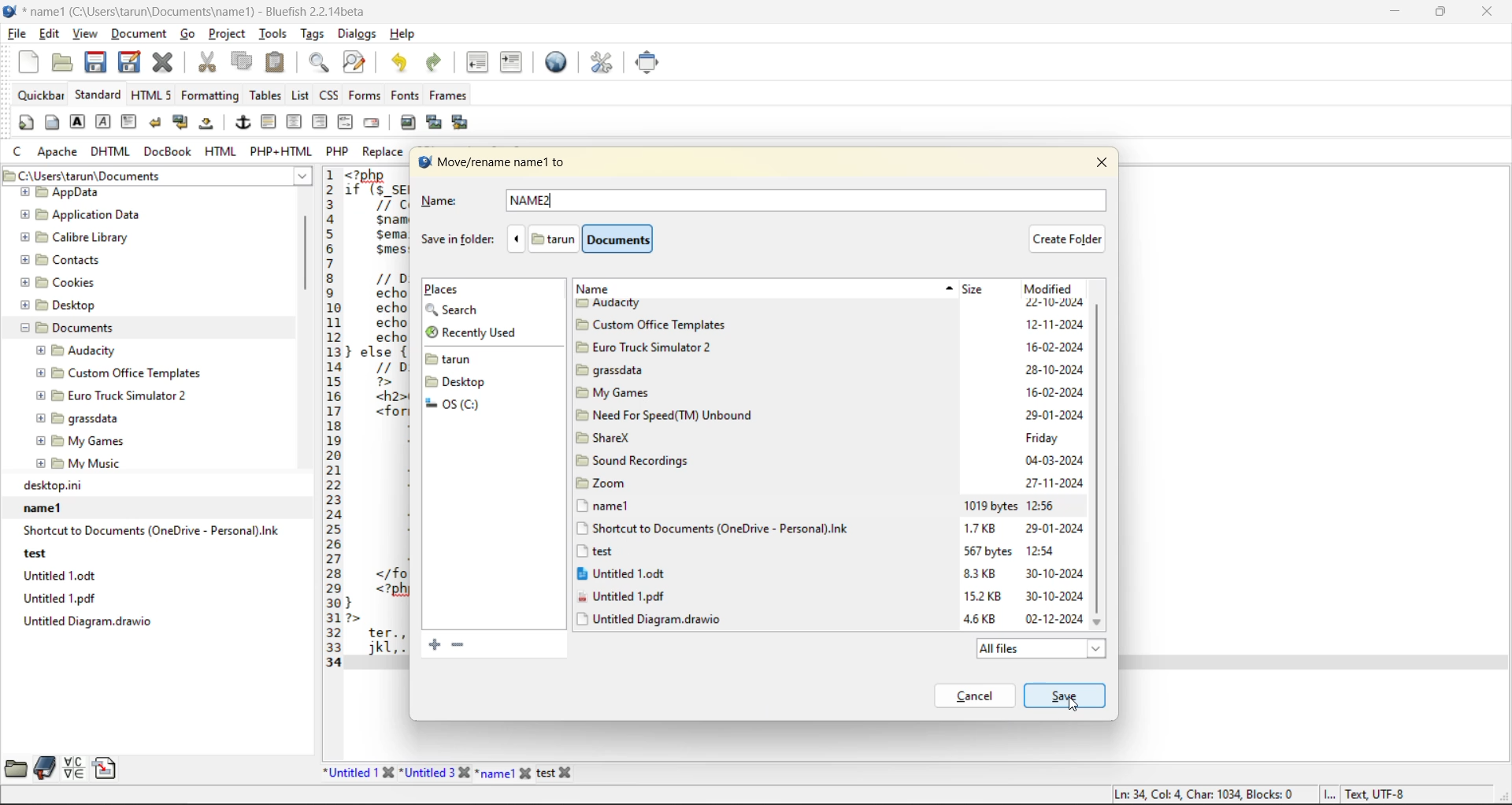 This screenshot has height=805, width=1512. I want to click on save, so click(97, 63).